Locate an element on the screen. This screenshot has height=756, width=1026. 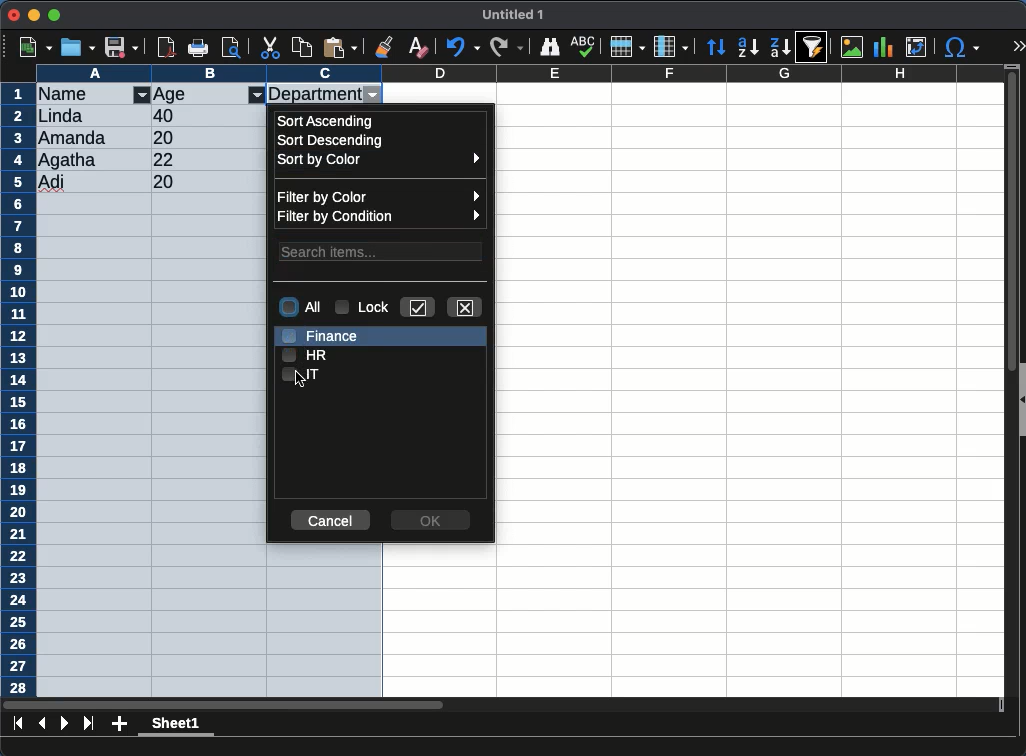
columns is located at coordinates (520, 73).